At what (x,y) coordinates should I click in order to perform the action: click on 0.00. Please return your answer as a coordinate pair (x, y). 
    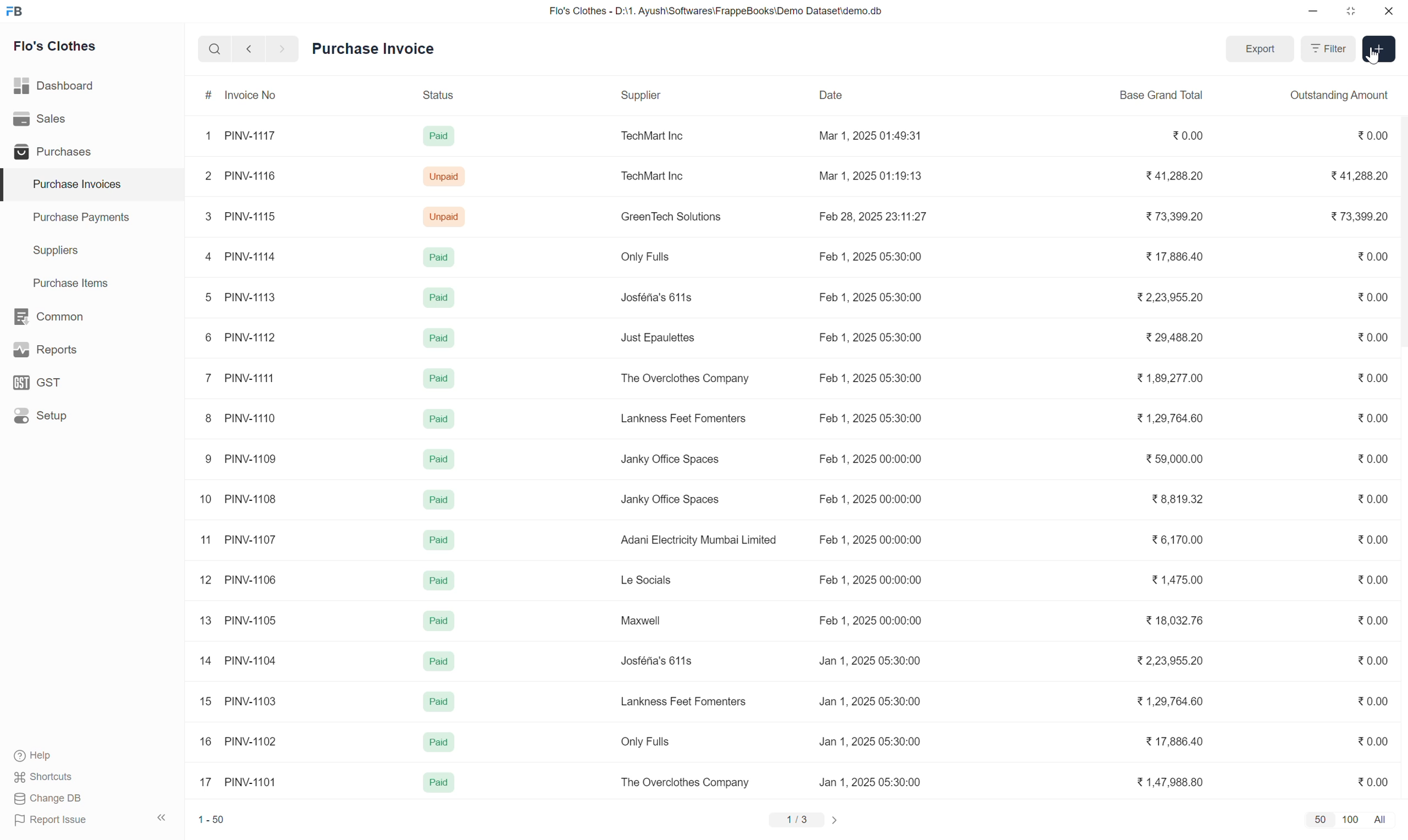
    Looking at the image, I should click on (1371, 297).